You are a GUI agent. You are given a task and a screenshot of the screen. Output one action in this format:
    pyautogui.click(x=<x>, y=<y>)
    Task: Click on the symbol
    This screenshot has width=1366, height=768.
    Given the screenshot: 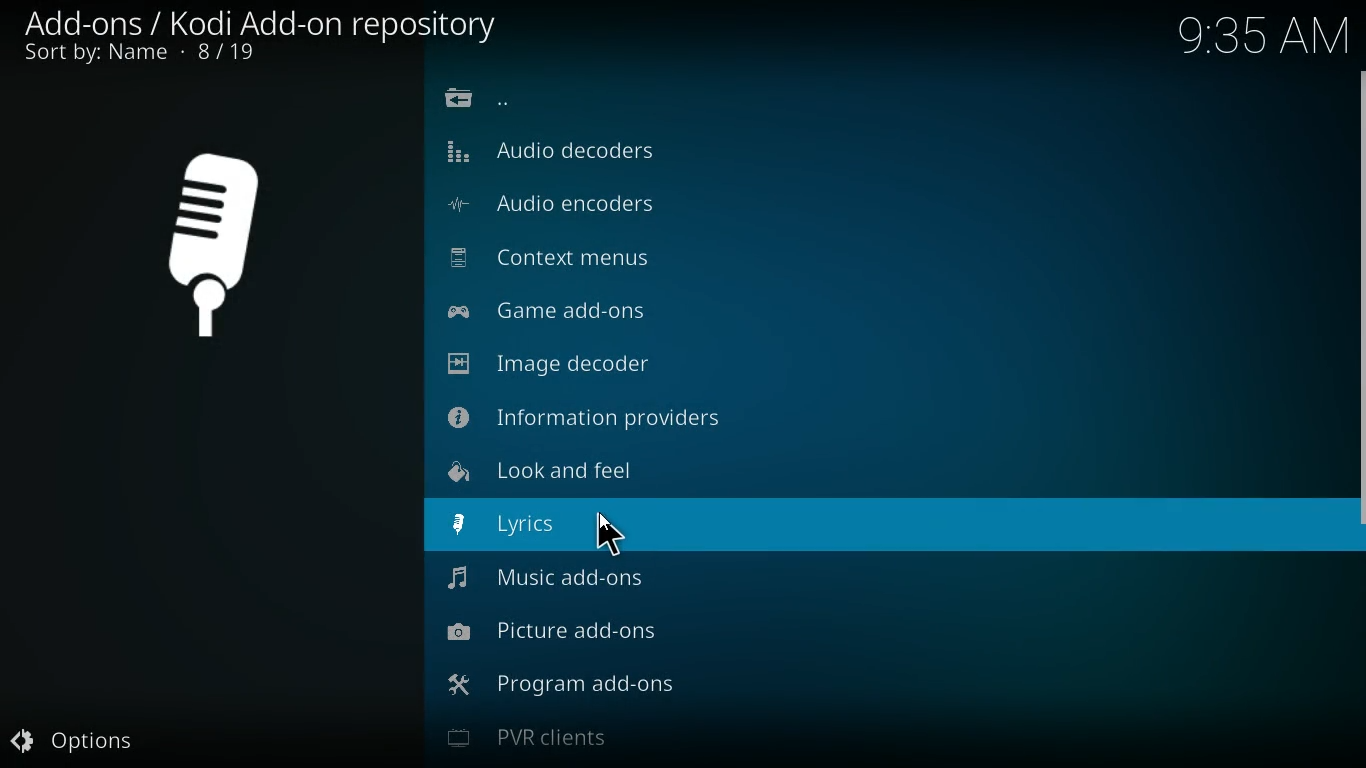 What is the action you would take?
    pyautogui.click(x=221, y=247)
    